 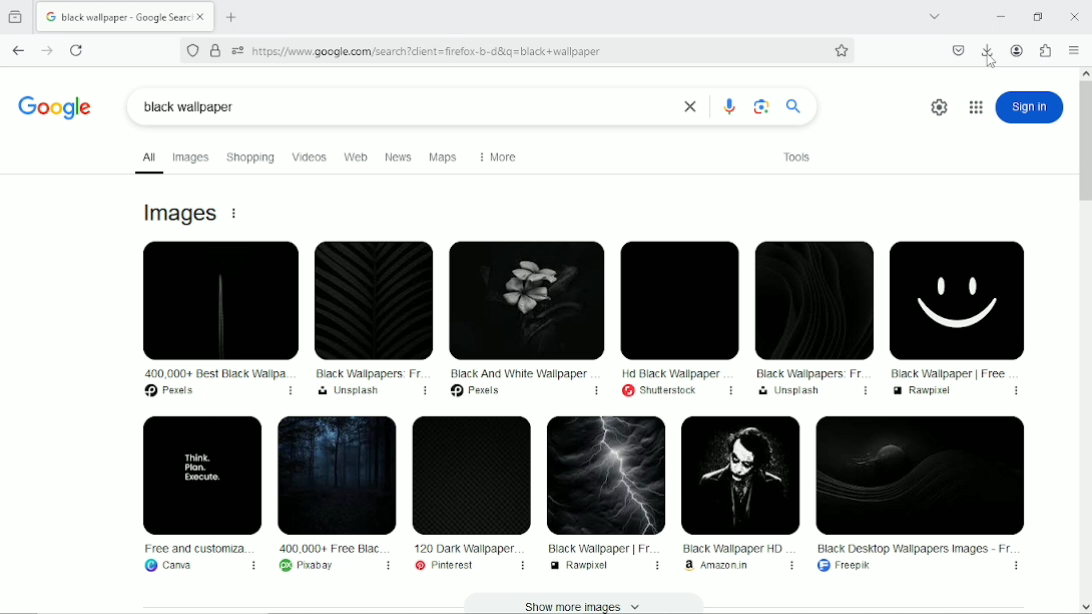 I want to click on Free and customiza..., so click(x=198, y=495).